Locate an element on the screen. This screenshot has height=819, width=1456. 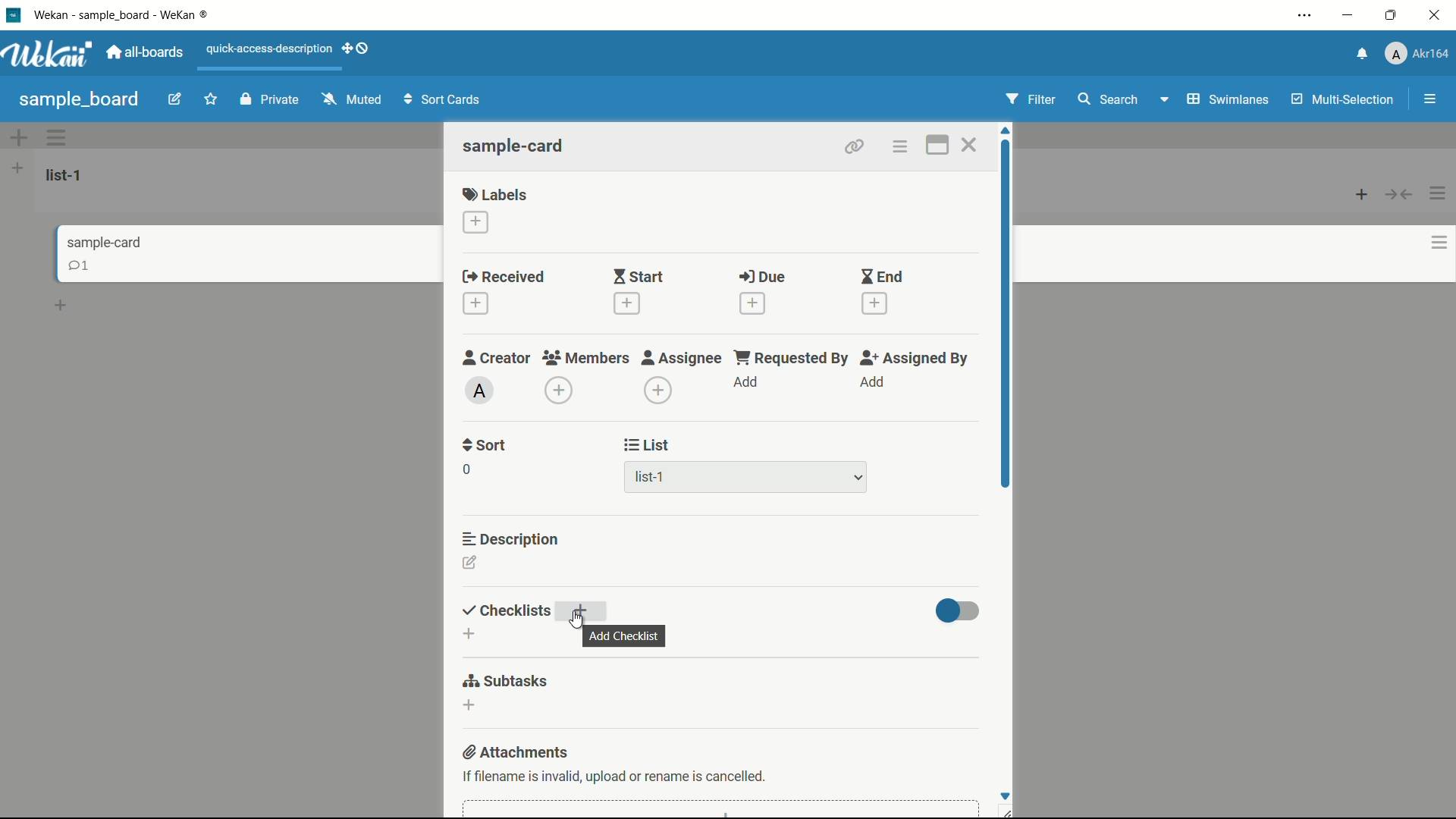
add date is located at coordinates (627, 303).